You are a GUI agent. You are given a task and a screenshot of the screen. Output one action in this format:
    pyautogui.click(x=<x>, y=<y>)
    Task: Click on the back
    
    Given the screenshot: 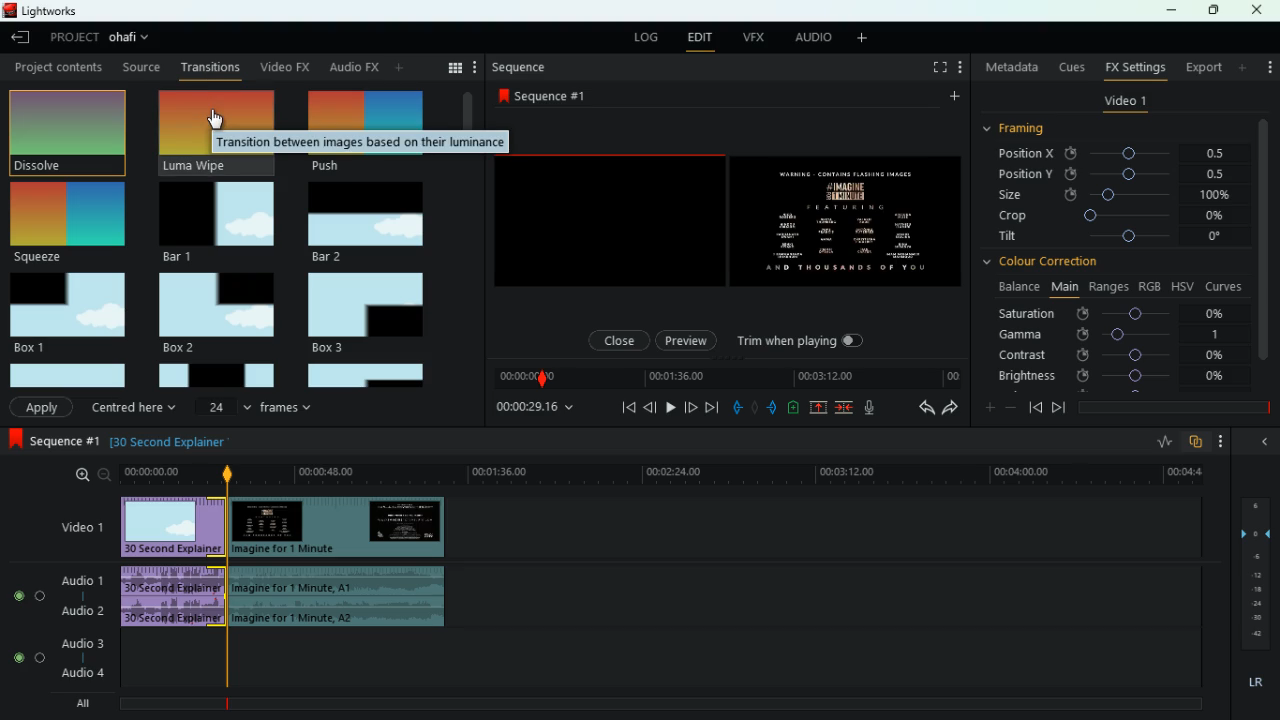 What is the action you would take?
    pyautogui.click(x=355, y=67)
    